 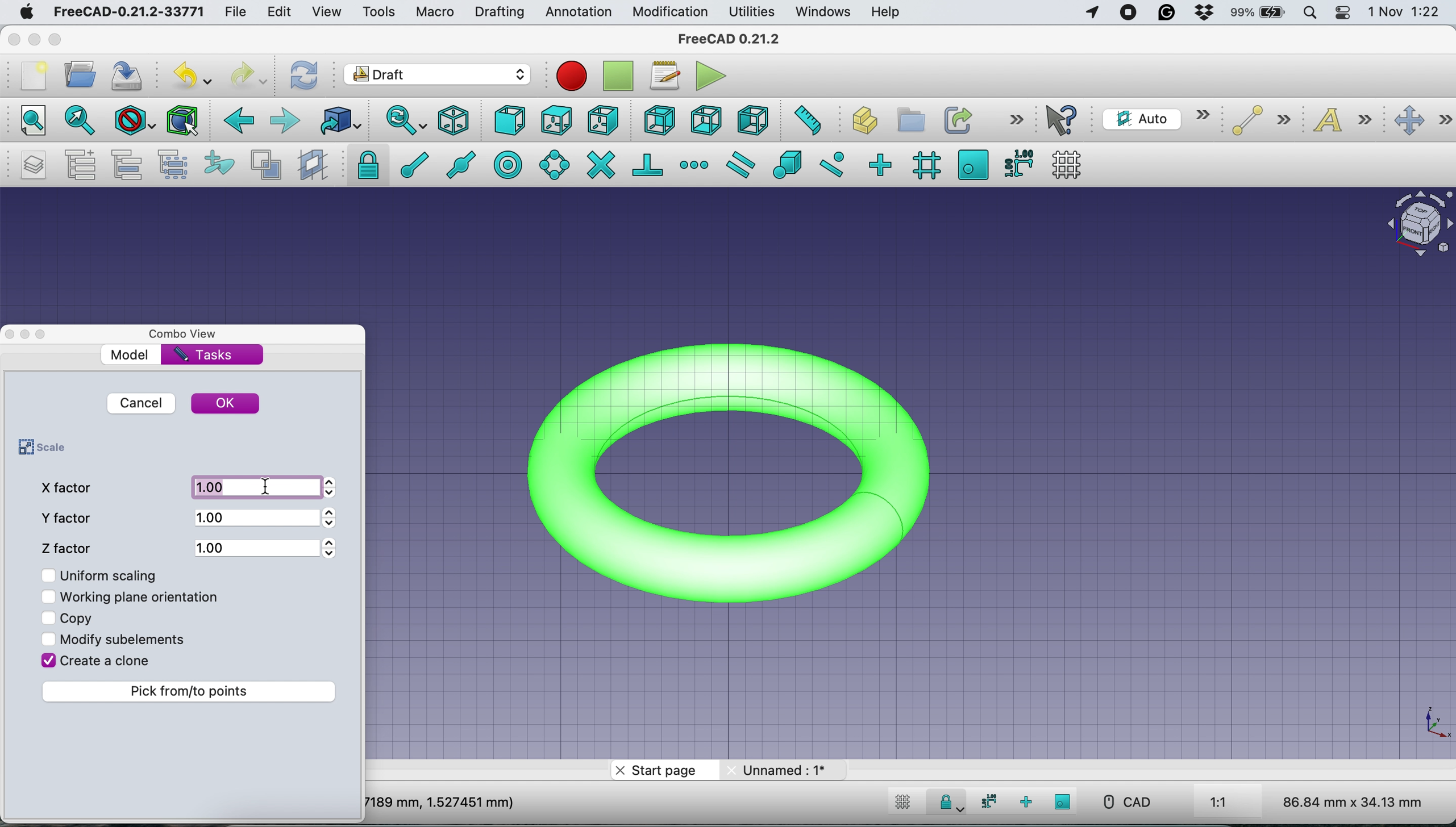 I want to click on snap center, so click(x=509, y=164).